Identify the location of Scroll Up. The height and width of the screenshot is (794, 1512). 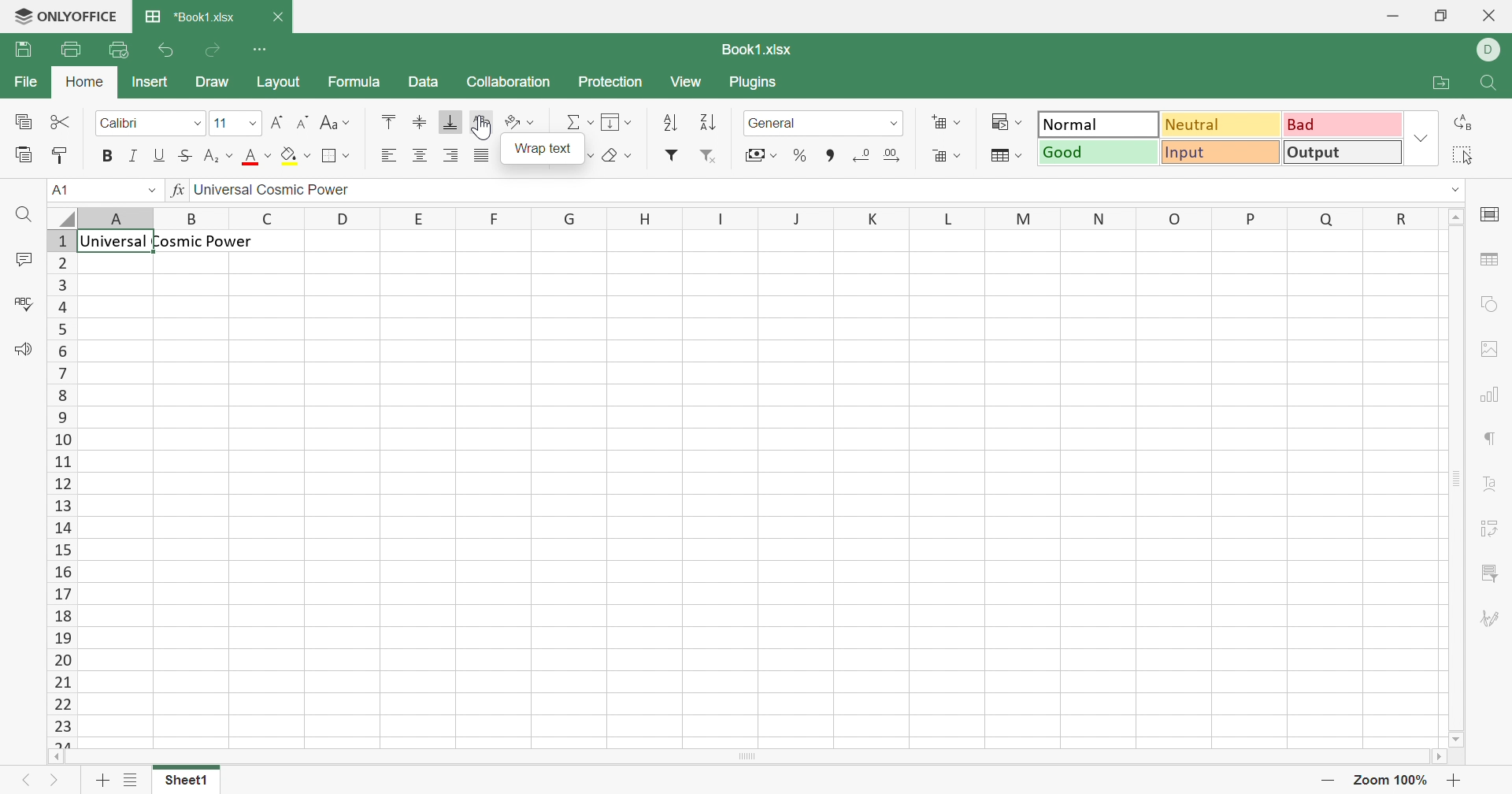
(1458, 218).